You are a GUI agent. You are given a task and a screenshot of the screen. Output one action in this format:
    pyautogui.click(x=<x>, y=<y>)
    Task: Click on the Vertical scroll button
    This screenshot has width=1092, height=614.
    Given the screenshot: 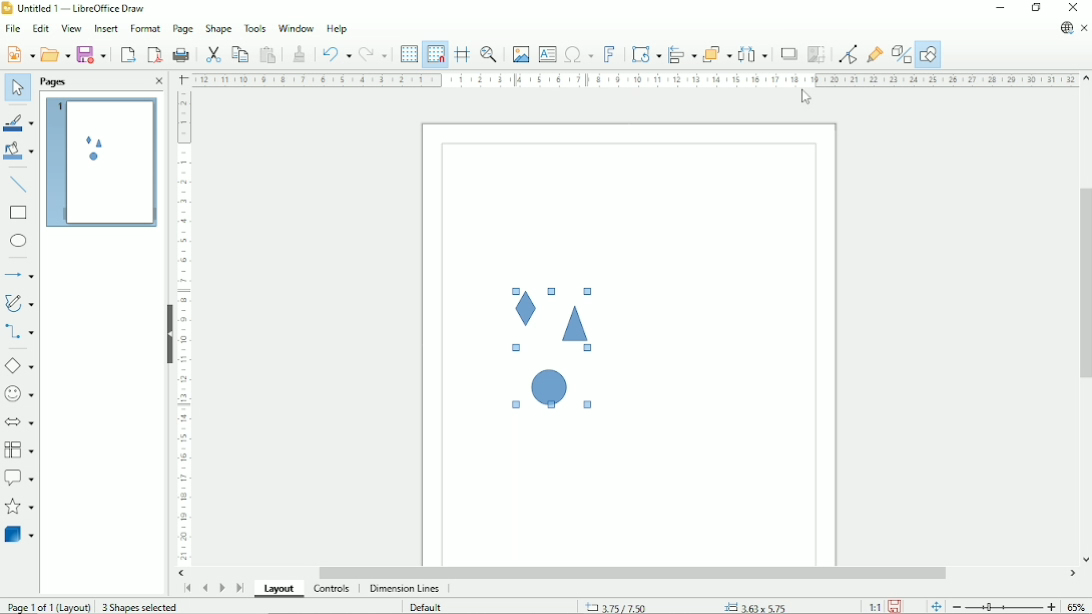 What is the action you would take?
    pyautogui.click(x=1086, y=80)
    